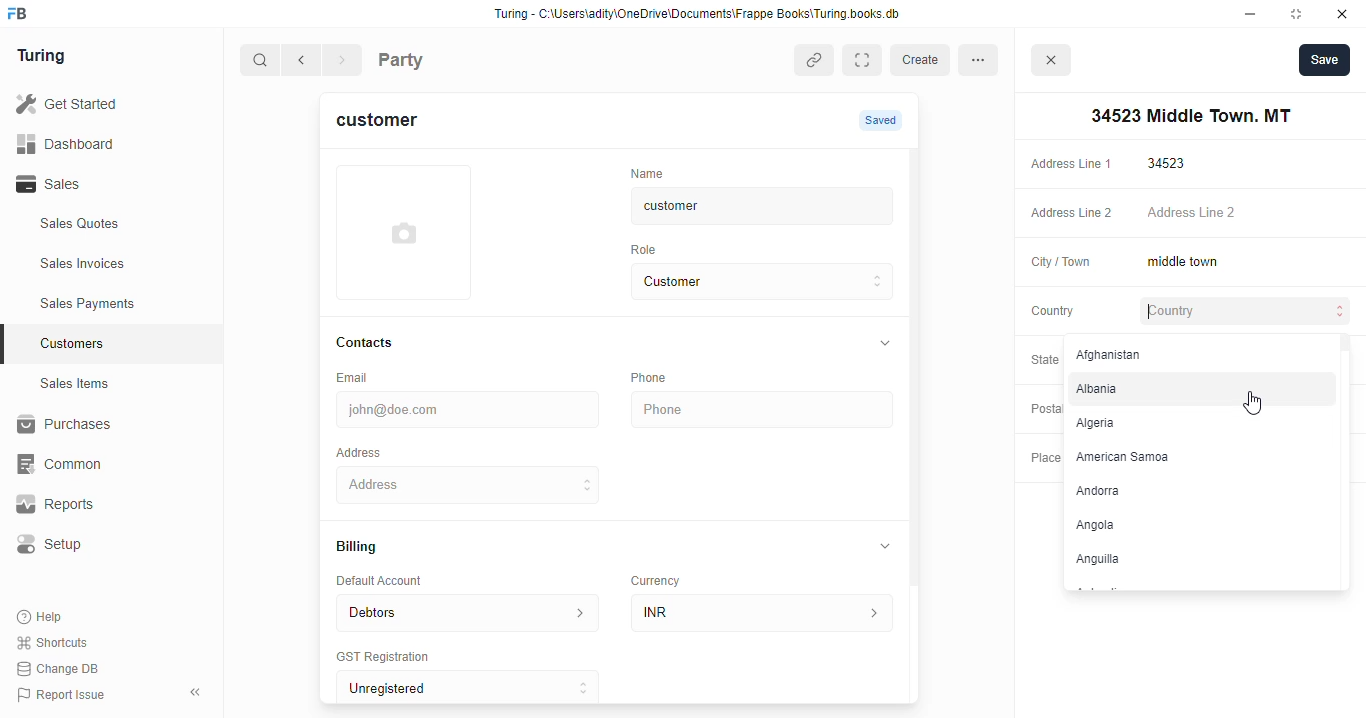 Image resolution: width=1366 pixels, height=718 pixels. What do you see at coordinates (703, 16) in the screenshot?
I see `Turing - C:\Users\adity\OneDrive\Documents\Frappe Books\Turing books. db` at bounding box center [703, 16].